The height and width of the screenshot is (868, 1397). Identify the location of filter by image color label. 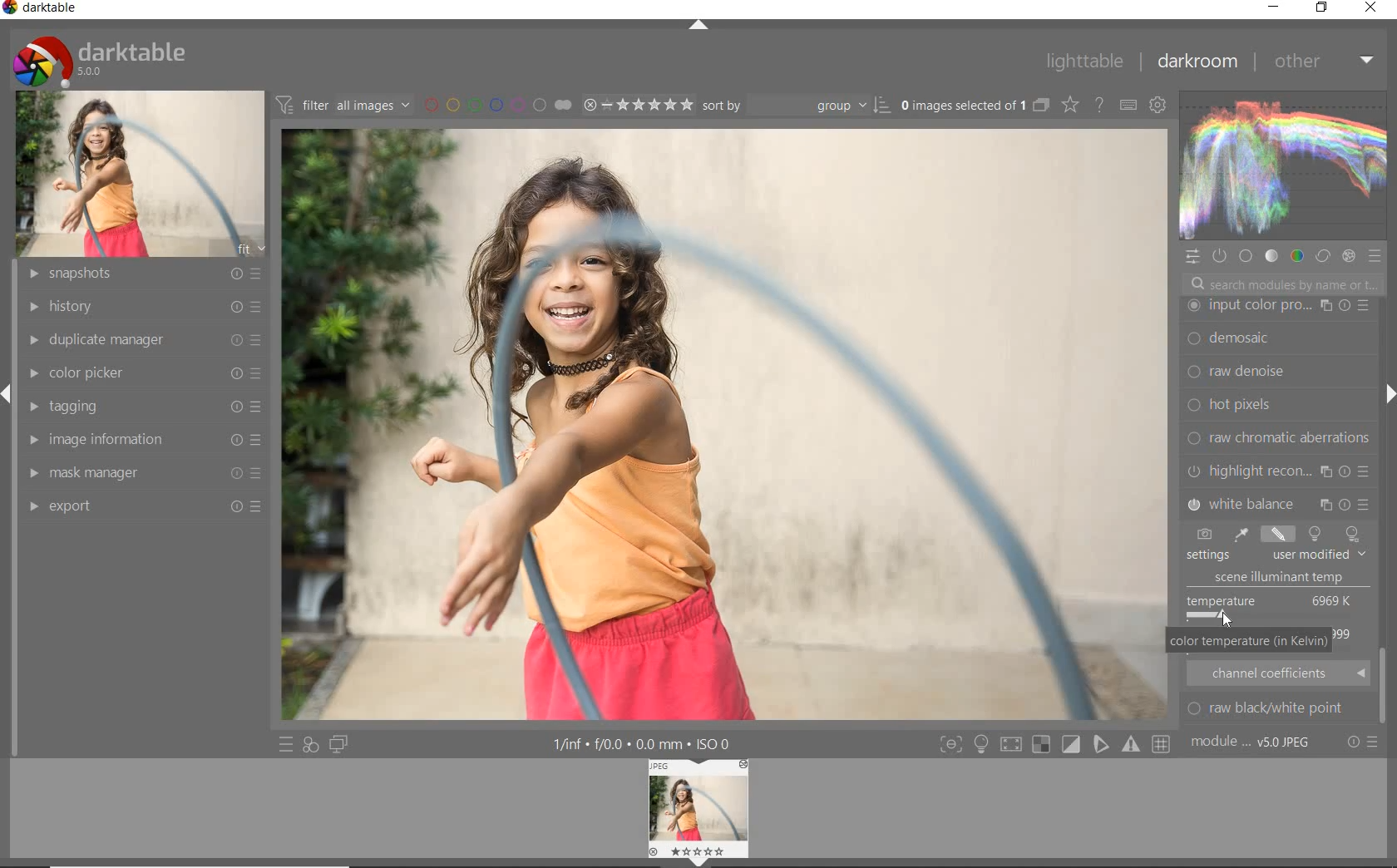
(496, 104).